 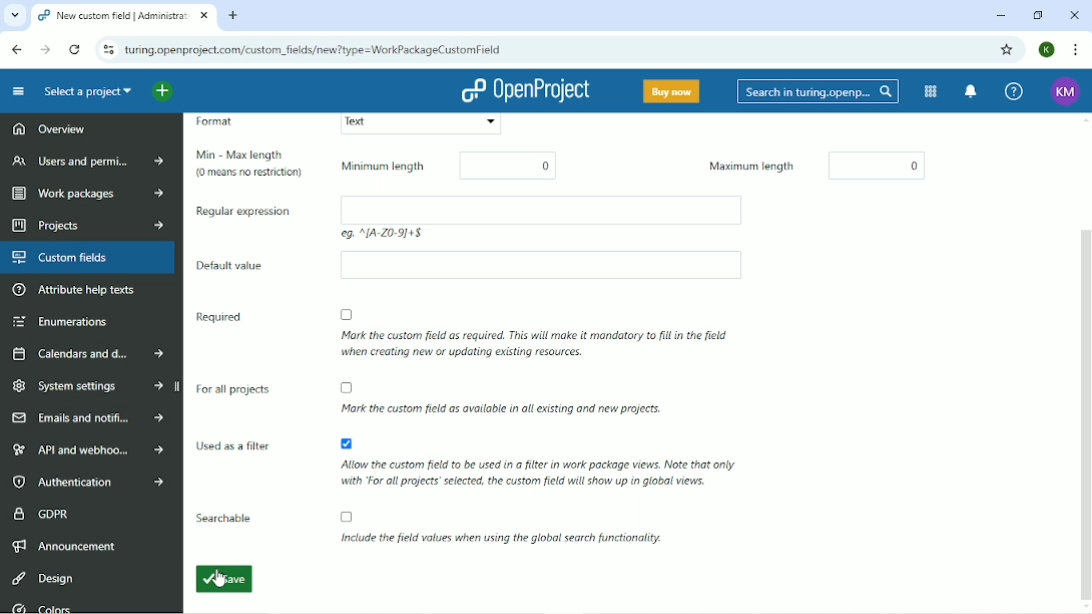 I want to click on Attribute help texts, so click(x=77, y=291).